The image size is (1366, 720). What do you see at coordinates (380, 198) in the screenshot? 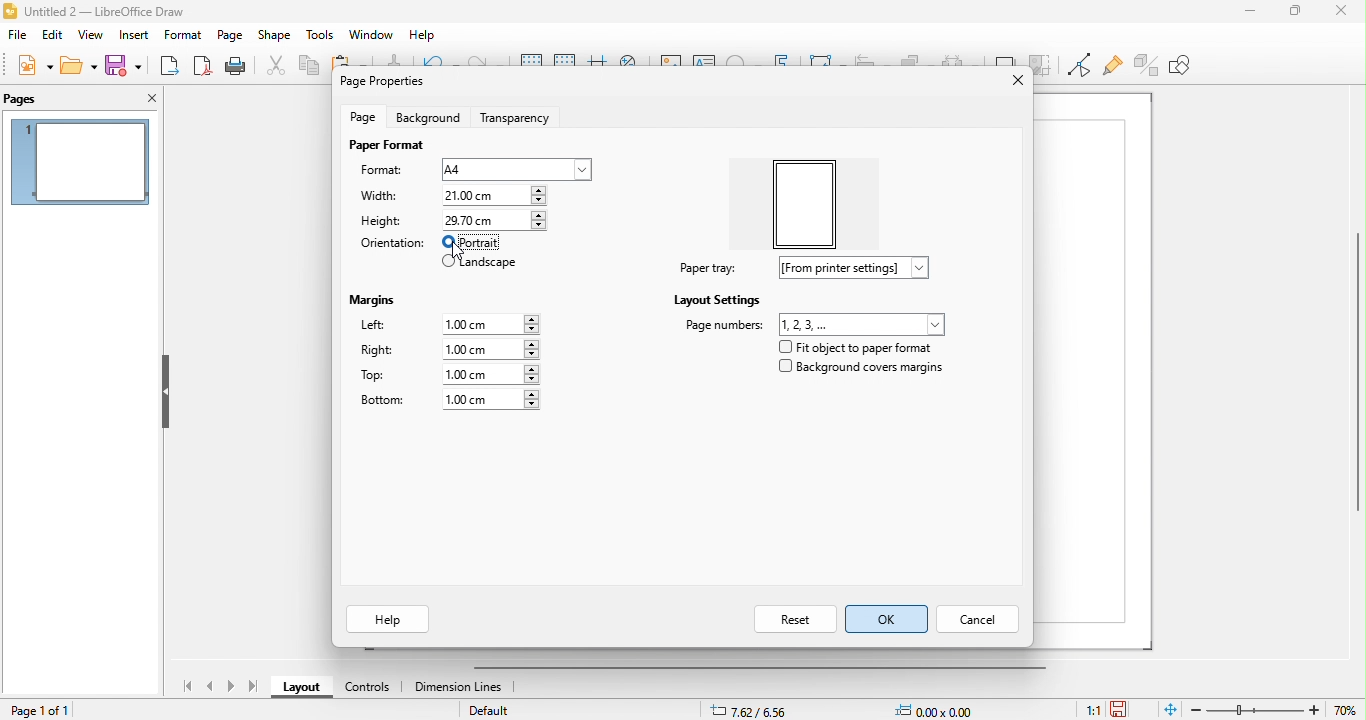
I see `width` at bounding box center [380, 198].